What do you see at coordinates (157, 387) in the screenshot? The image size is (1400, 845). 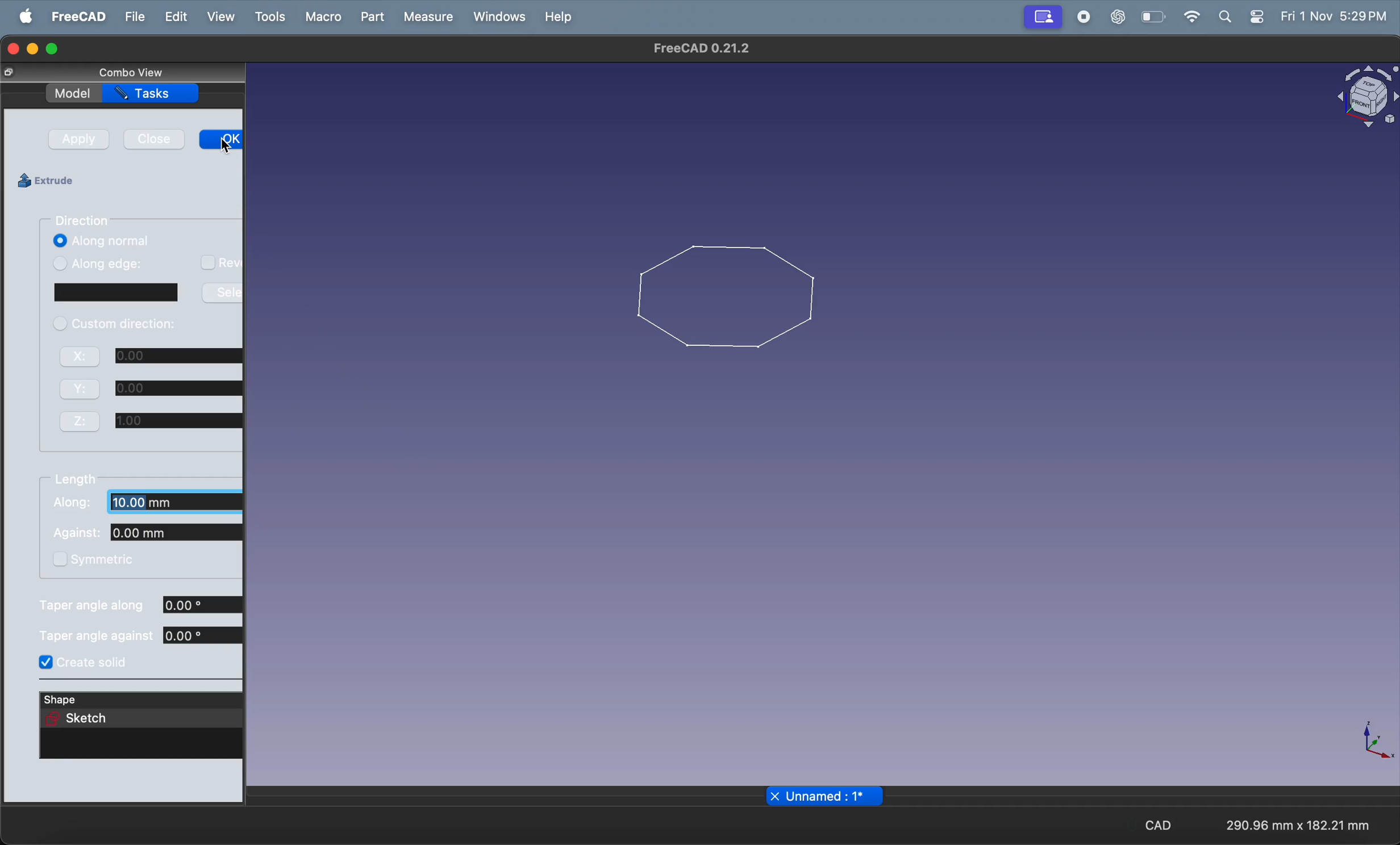 I see `y co ordinate` at bounding box center [157, 387].